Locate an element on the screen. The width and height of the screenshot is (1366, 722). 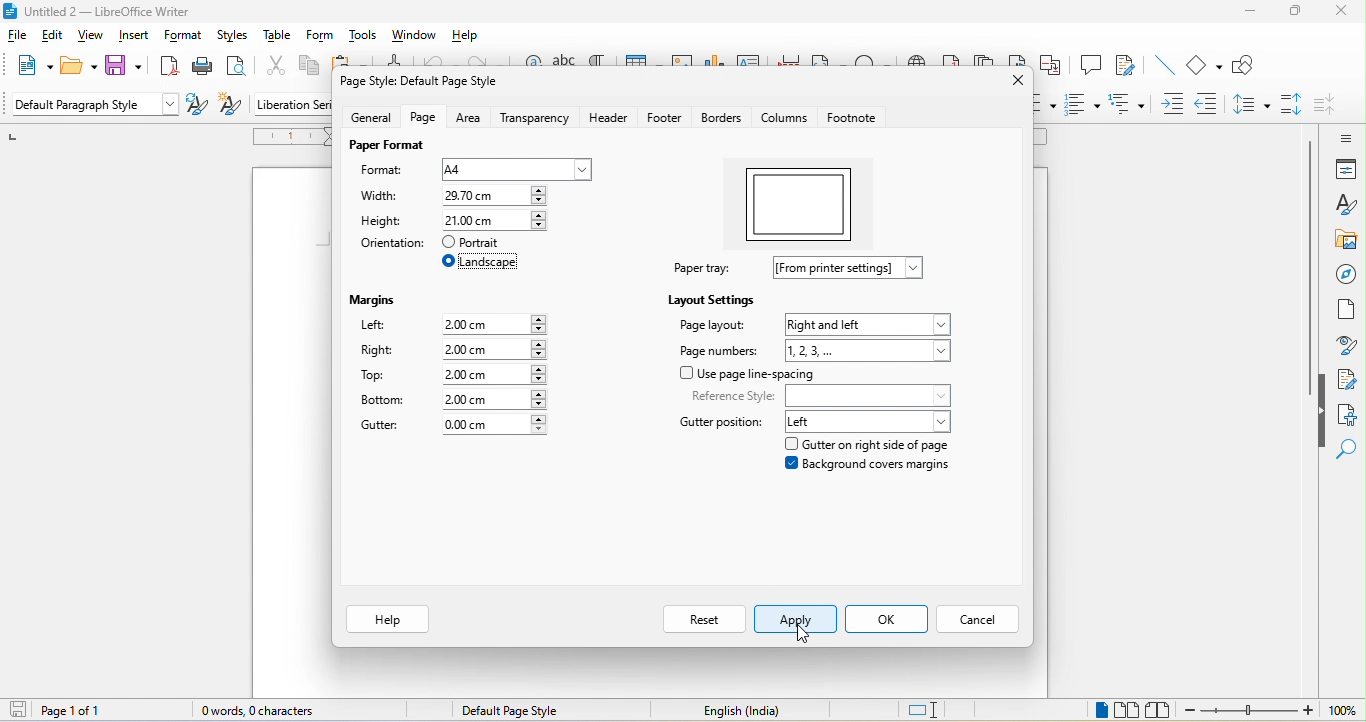
standard selection is located at coordinates (930, 709).